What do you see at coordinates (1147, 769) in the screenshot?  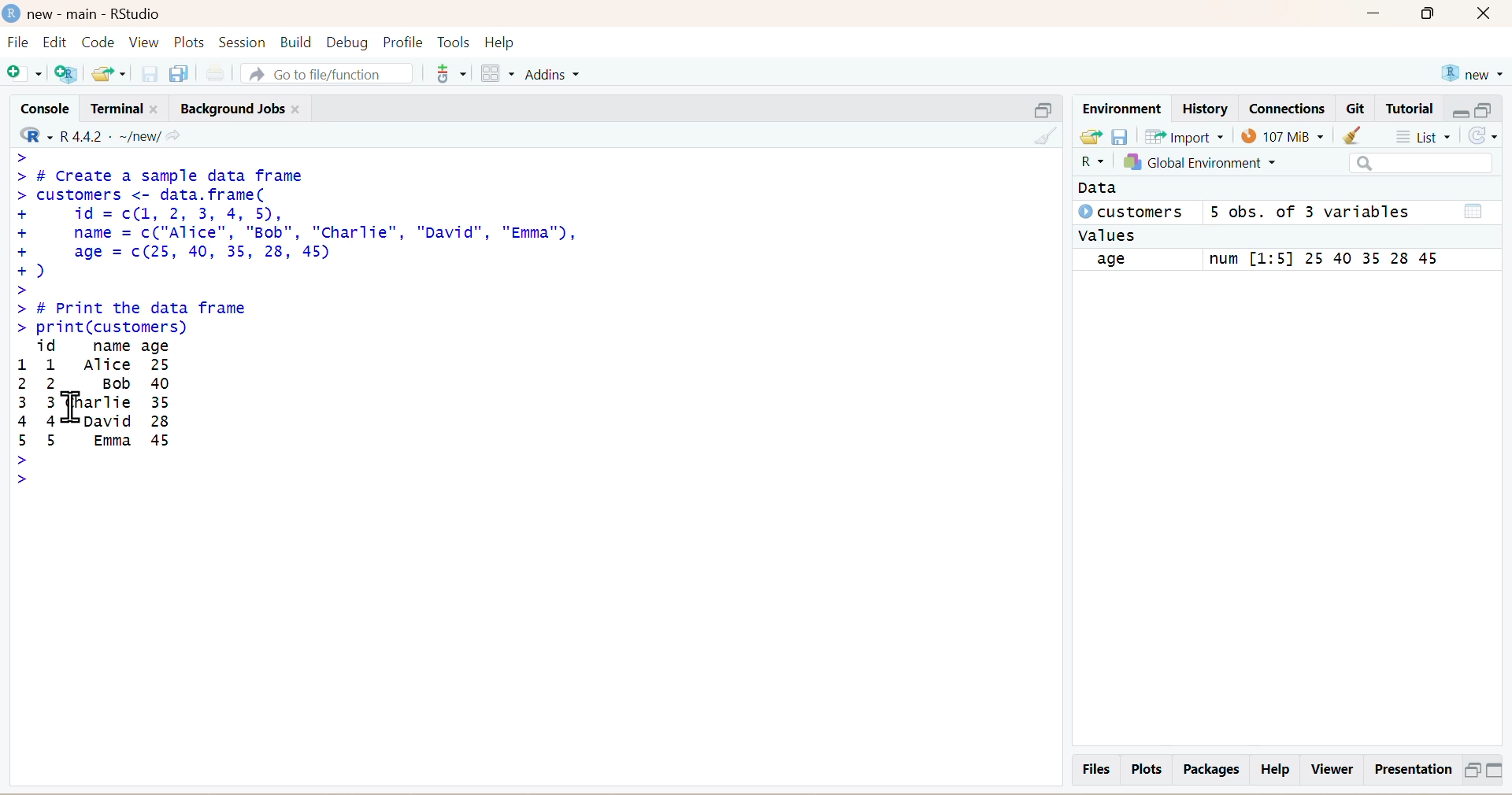 I see `Plots` at bounding box center [1147, 769].